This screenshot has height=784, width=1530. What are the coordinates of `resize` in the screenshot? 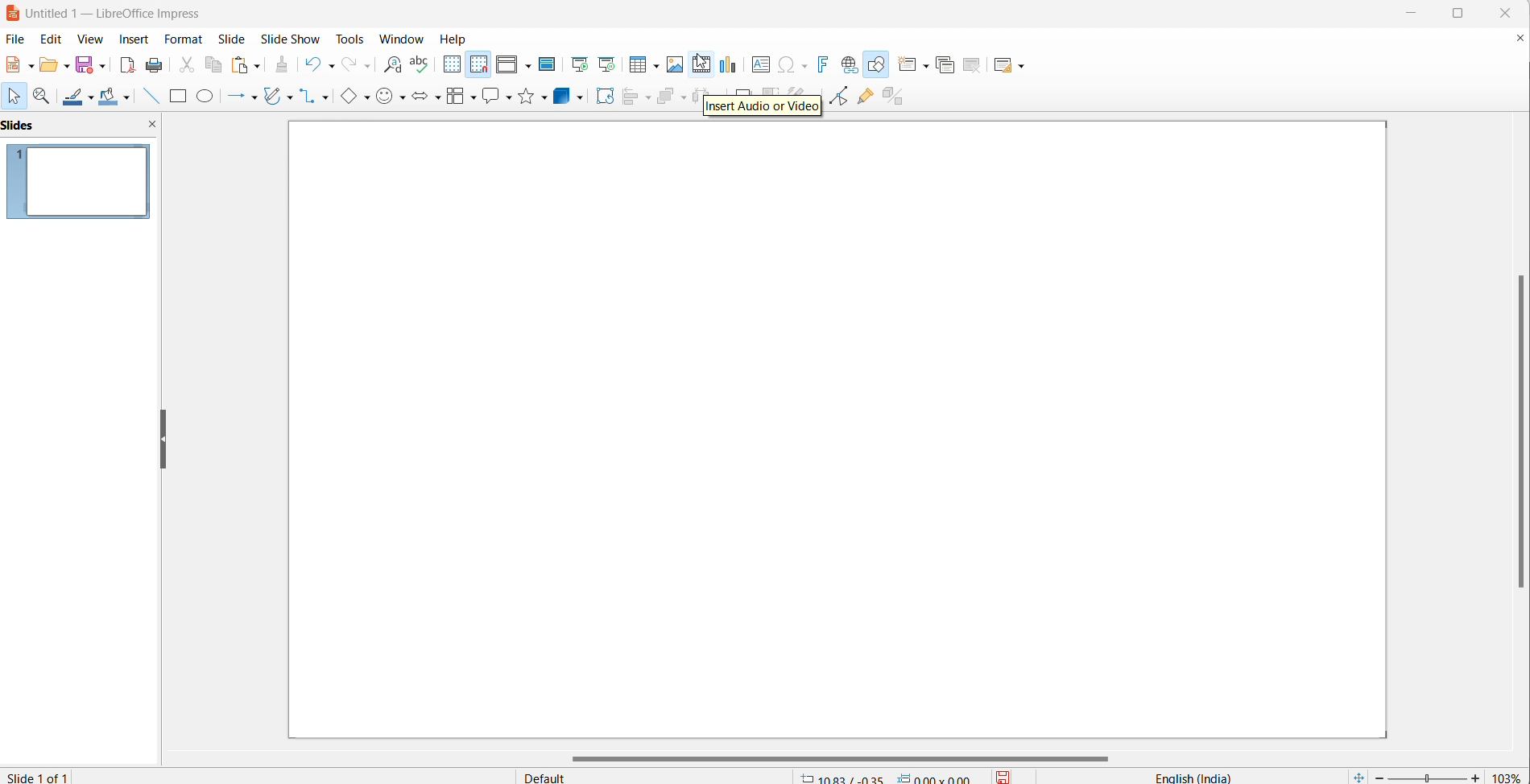 It's located at (163, 438).